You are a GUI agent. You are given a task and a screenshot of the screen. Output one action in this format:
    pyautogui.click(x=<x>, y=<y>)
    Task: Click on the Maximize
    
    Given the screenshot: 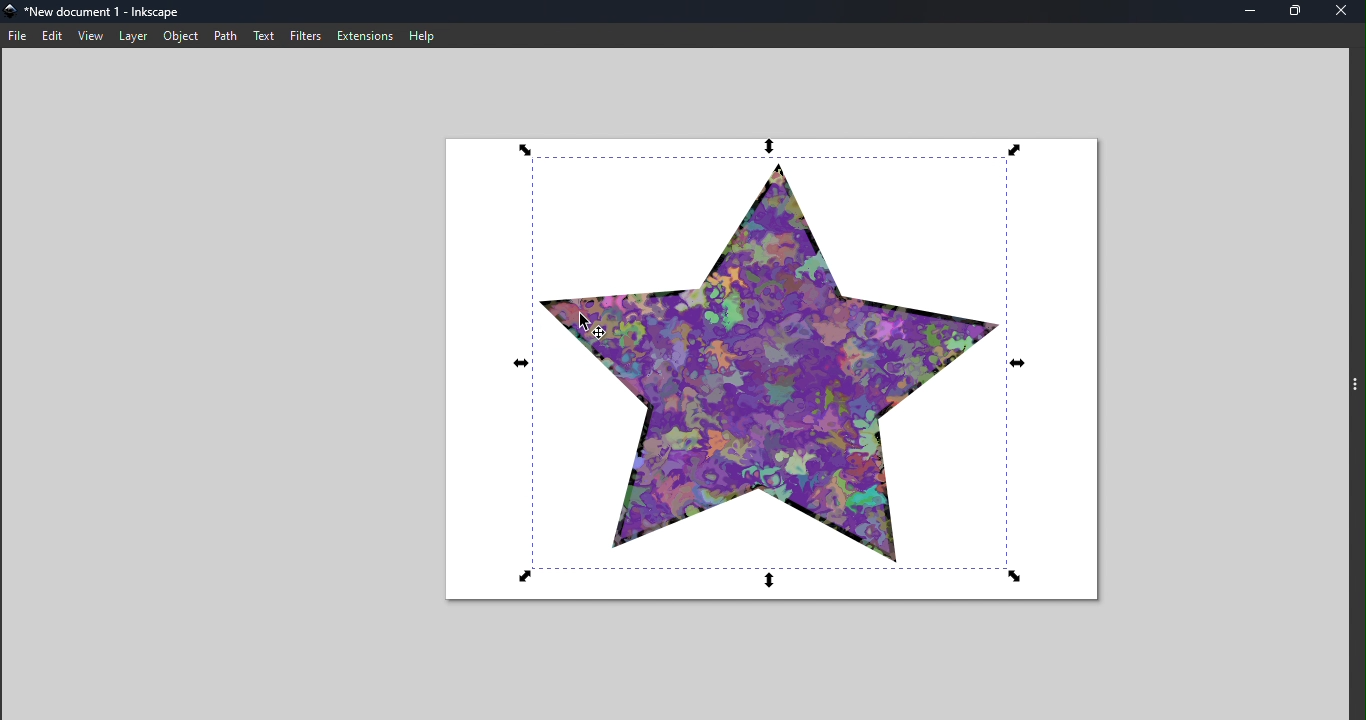 What is the action you would take?
    pyautogui.click(x=1297, y=12)
    